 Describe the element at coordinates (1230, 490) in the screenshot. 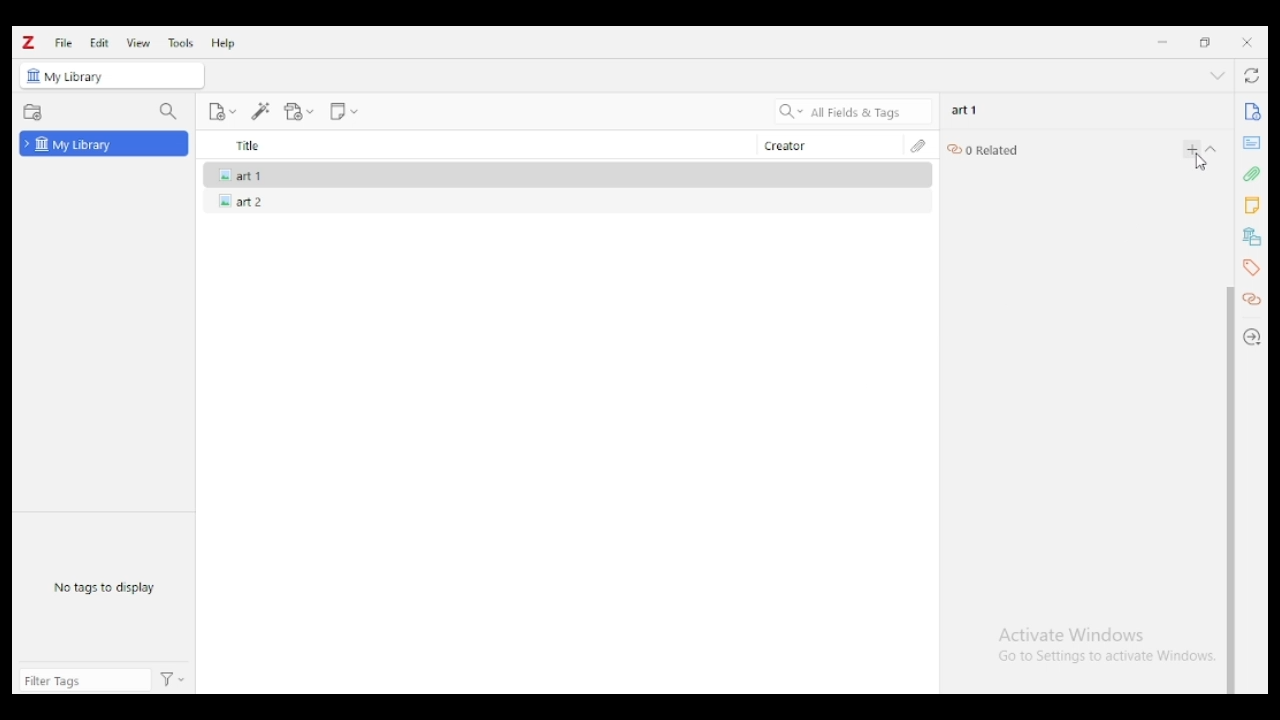

I see `vertical scroll bar` at that location.